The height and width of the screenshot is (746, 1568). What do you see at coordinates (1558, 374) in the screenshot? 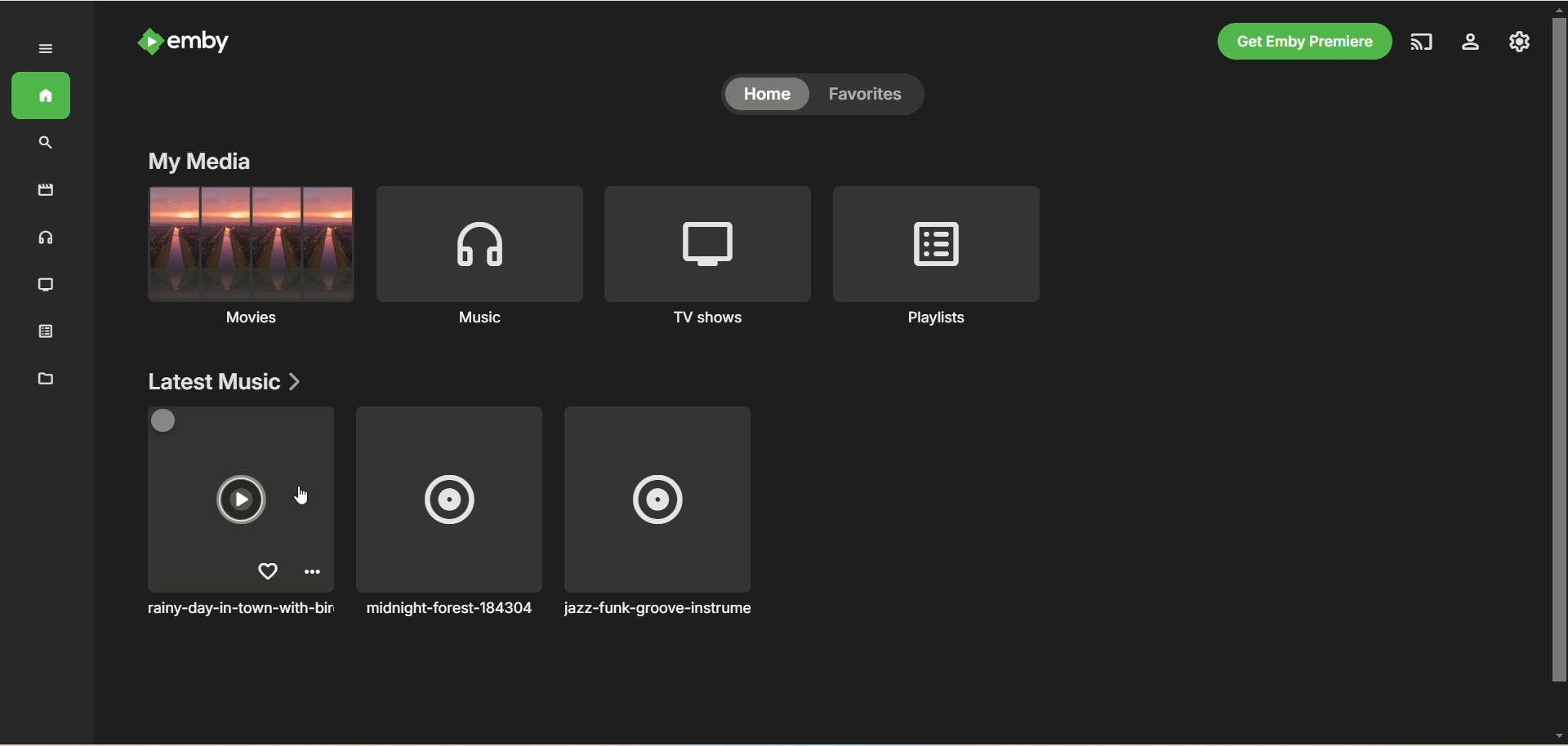
I see `vertical scroll bar` at bounding box center [1558, 374].